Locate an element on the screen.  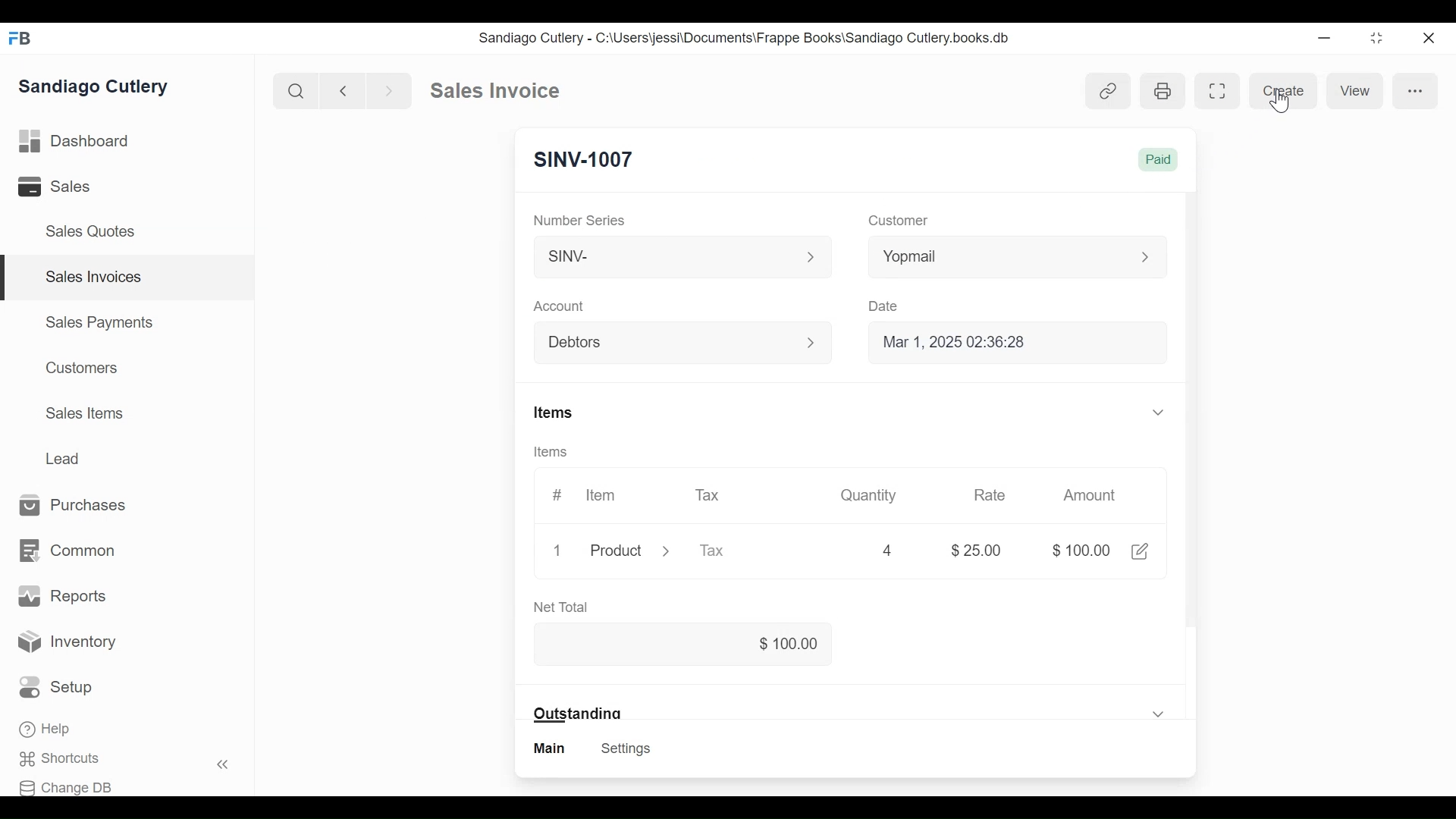
Sales invoice is located at coordinates (494, 91).